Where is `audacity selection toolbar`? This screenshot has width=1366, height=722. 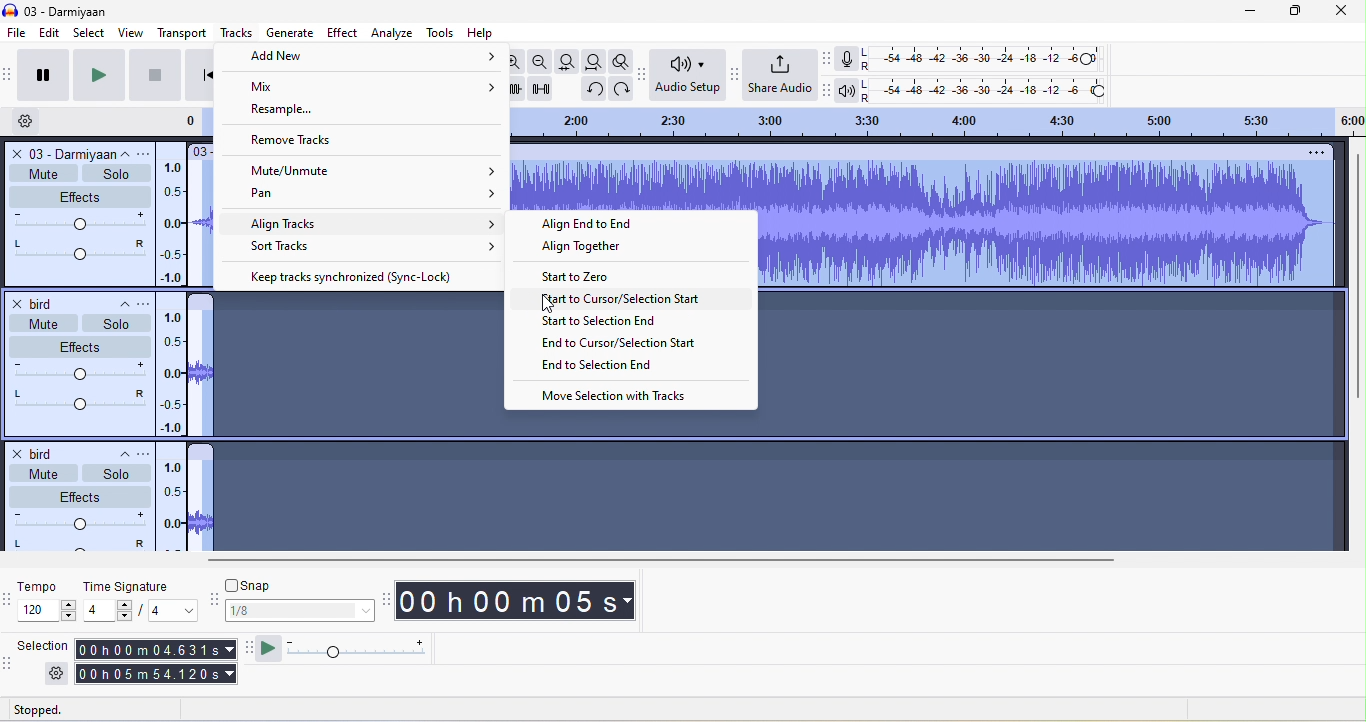 audacity selection toolbar is located at coordinates (9, 668).